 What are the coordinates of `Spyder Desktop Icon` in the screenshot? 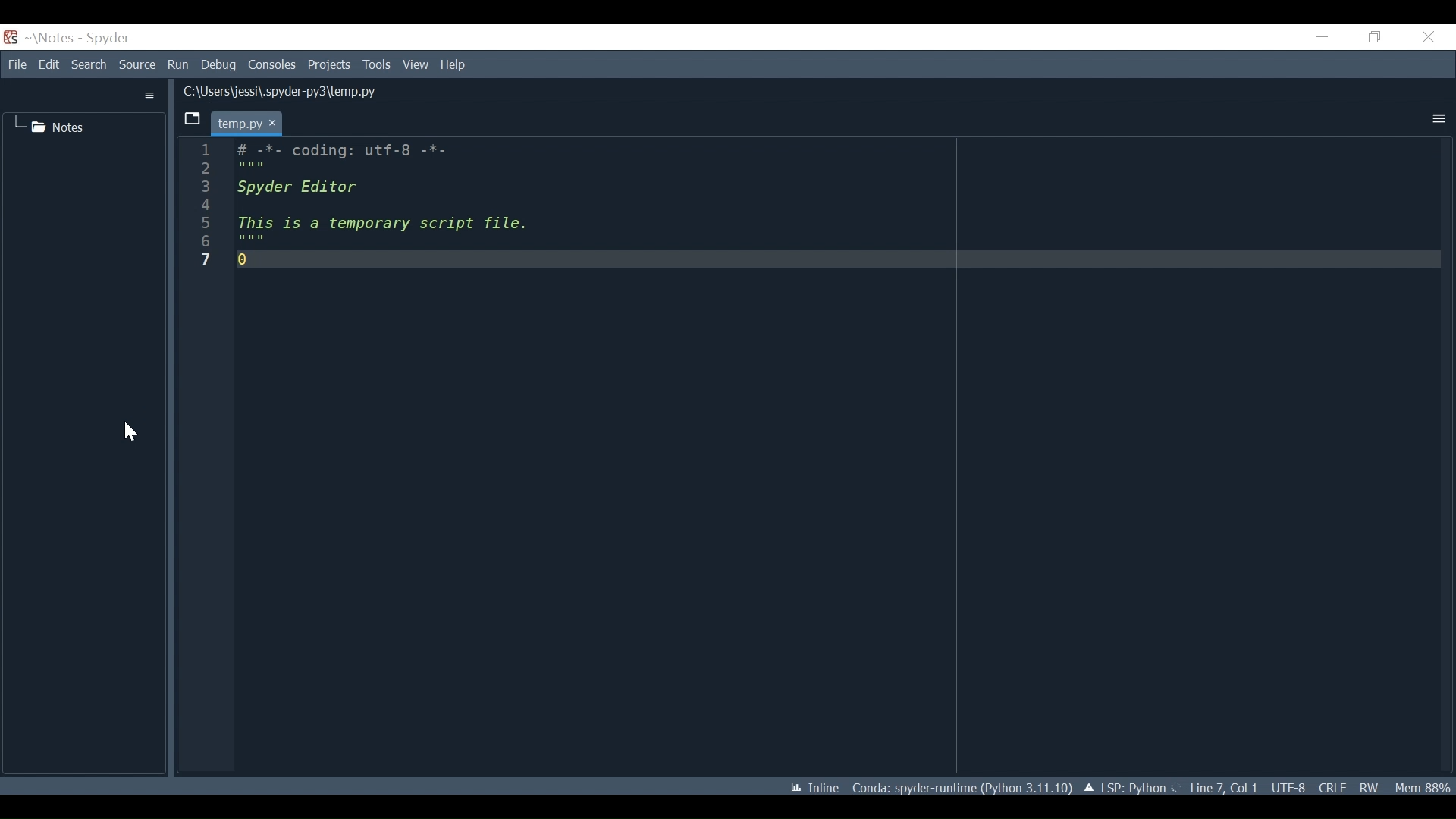 It's located at (10, 38).